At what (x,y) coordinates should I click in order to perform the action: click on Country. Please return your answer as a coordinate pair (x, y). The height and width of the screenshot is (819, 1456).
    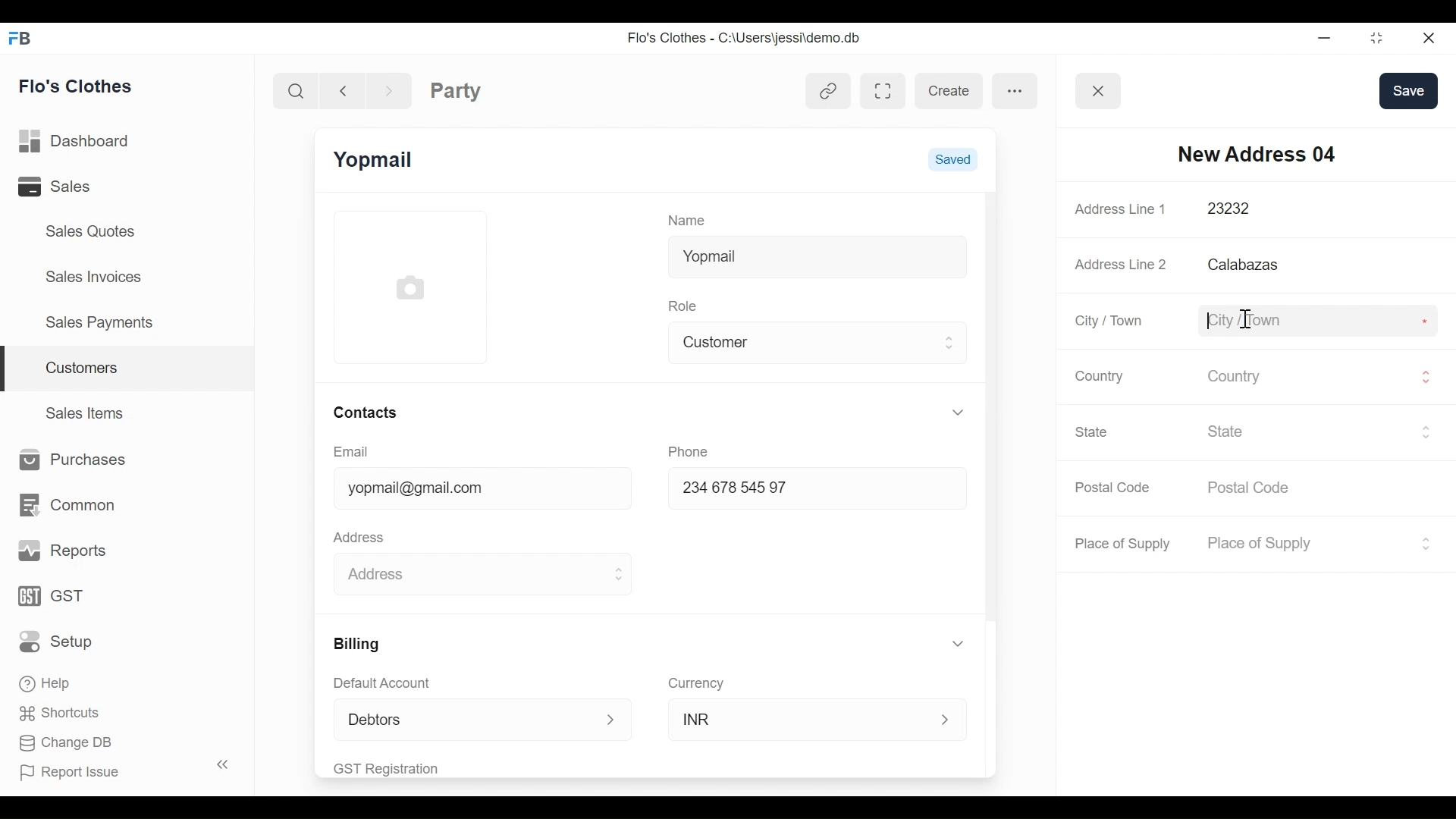
    Looking at the image, I should click on (1307, 375).